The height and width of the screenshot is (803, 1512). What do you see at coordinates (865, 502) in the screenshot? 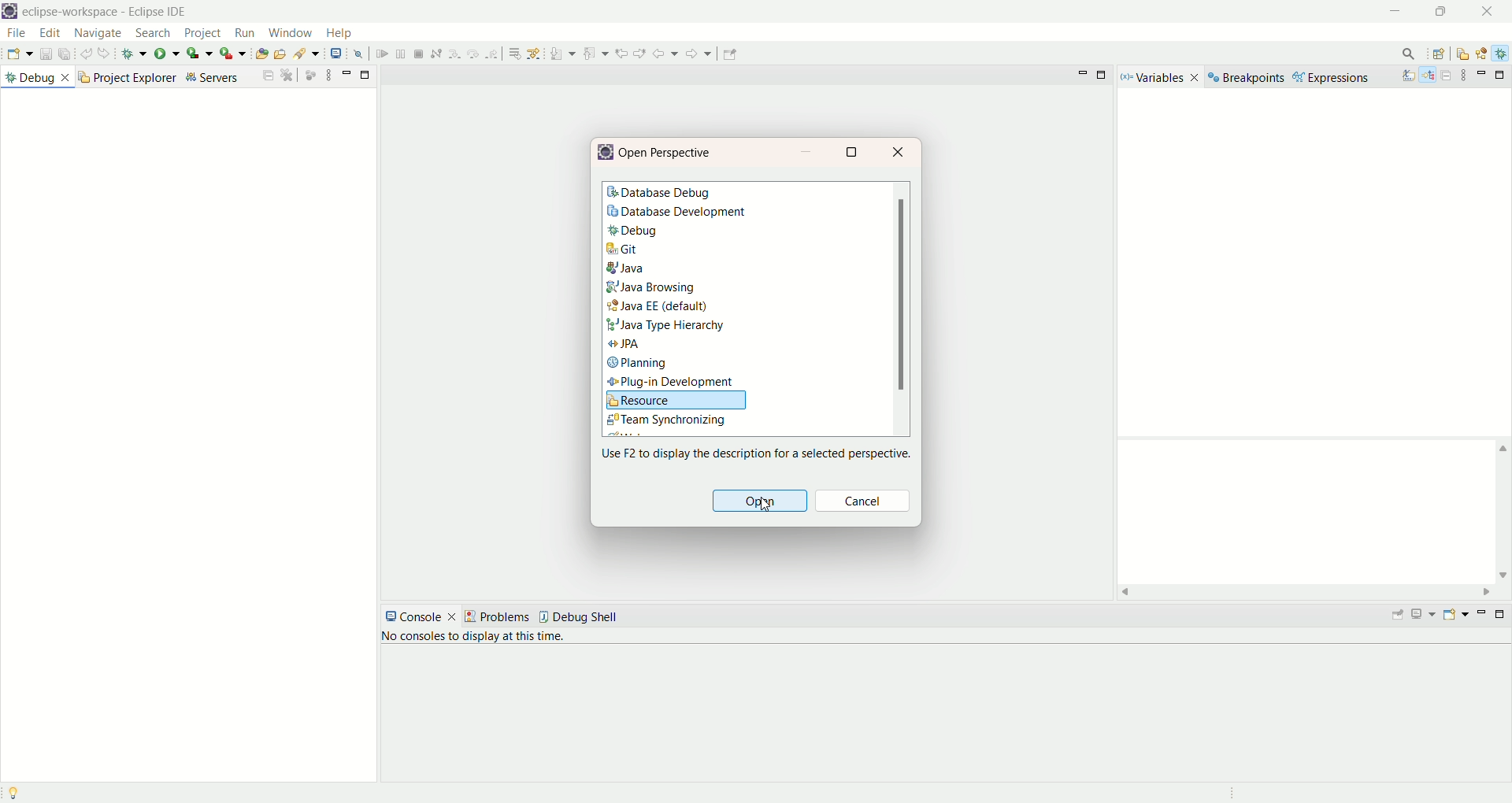
I see `cancel` at bounding box center [865, 502].